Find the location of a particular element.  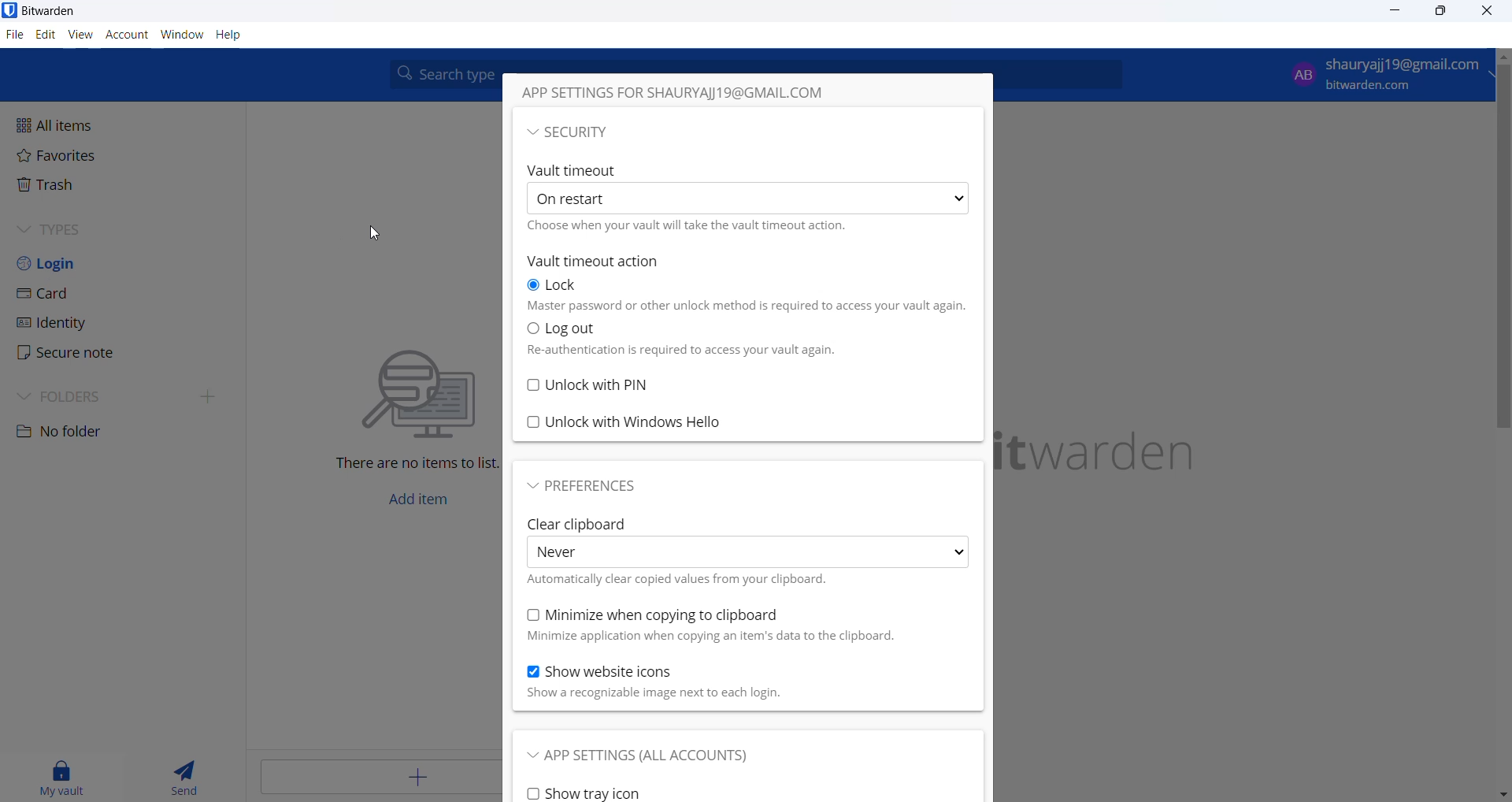

scrollbar is located at coordinates (1503, 249).